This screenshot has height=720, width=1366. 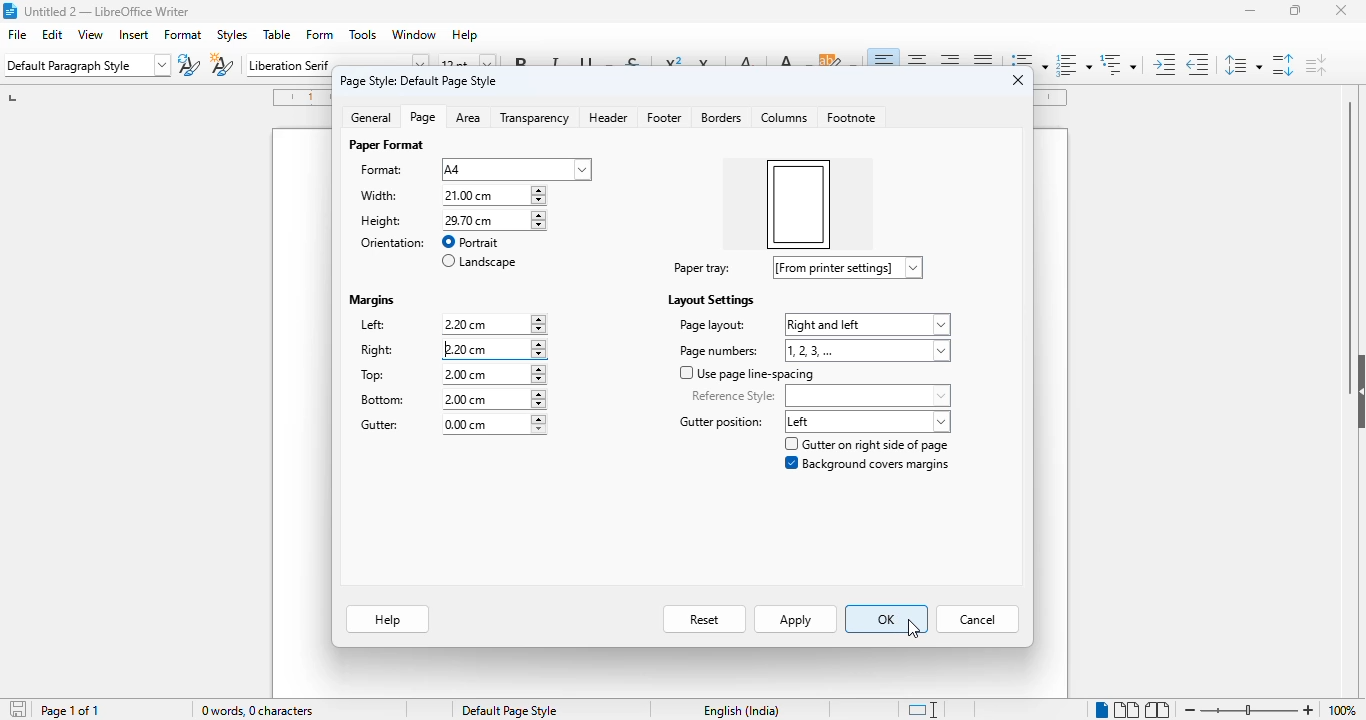 I want to click on gutter position label, so click(x=722, y=422).